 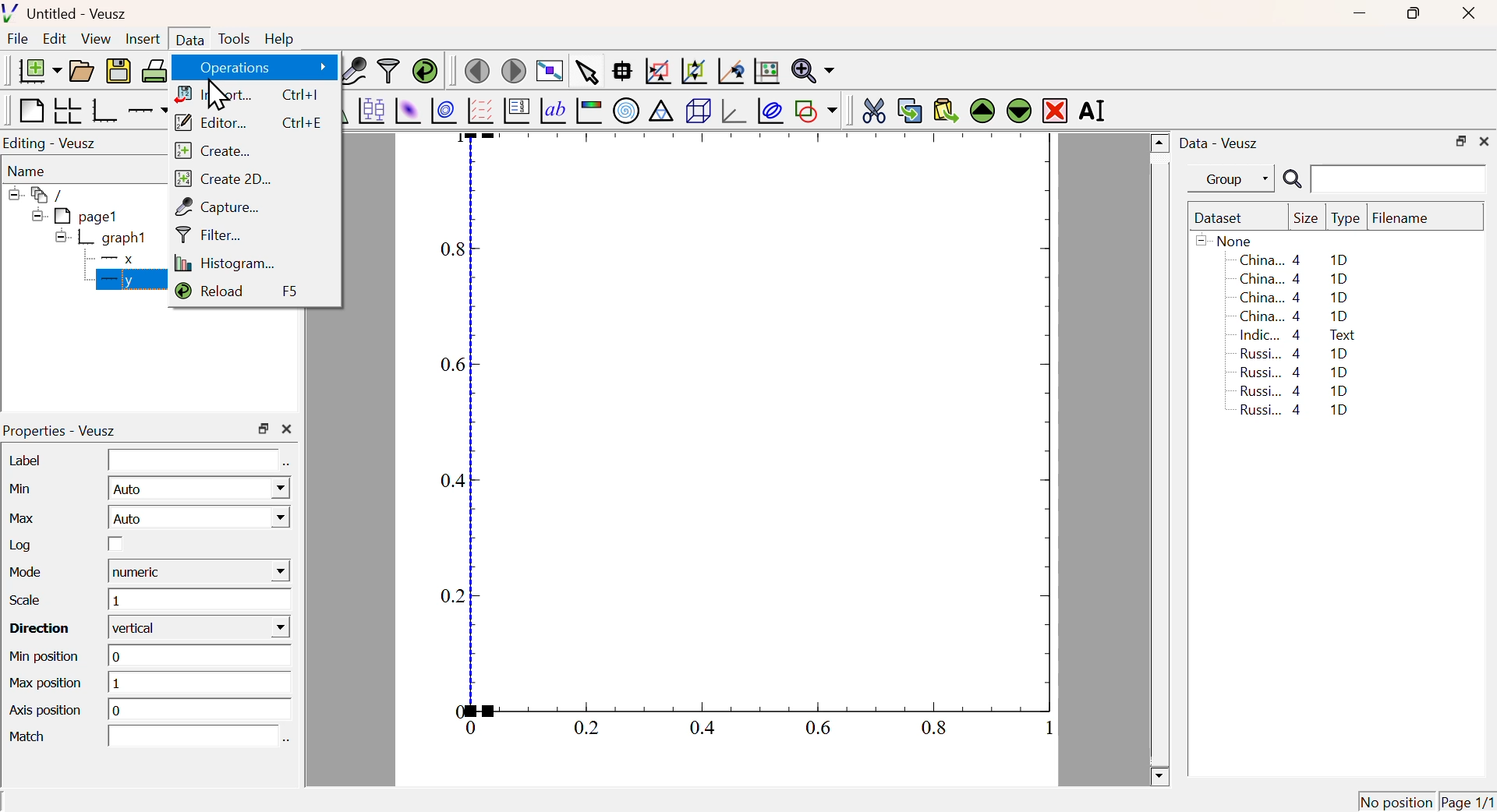 I want to click on Add a shape, so click(x=816, y=110).